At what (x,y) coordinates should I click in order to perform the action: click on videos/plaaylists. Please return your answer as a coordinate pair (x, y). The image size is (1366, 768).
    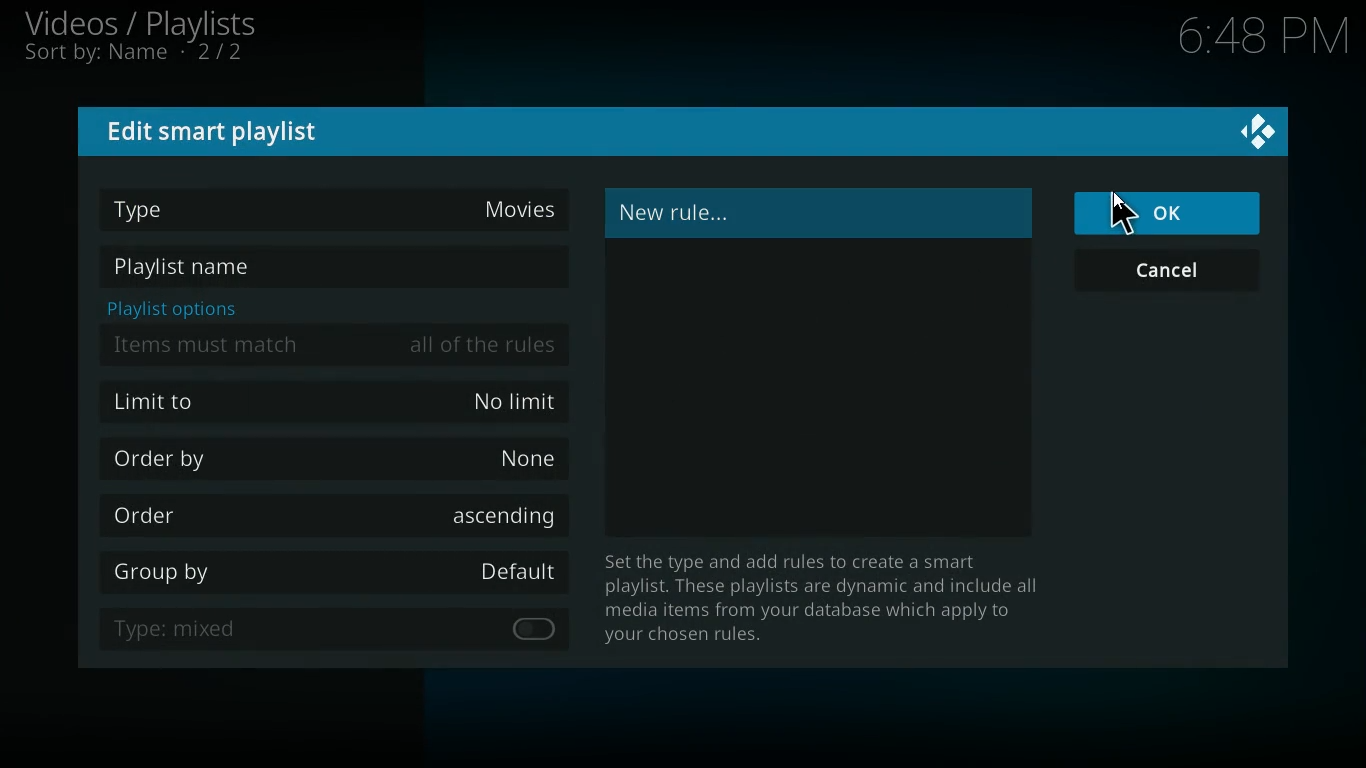
    Looking at the image, I should click on (143, 24).